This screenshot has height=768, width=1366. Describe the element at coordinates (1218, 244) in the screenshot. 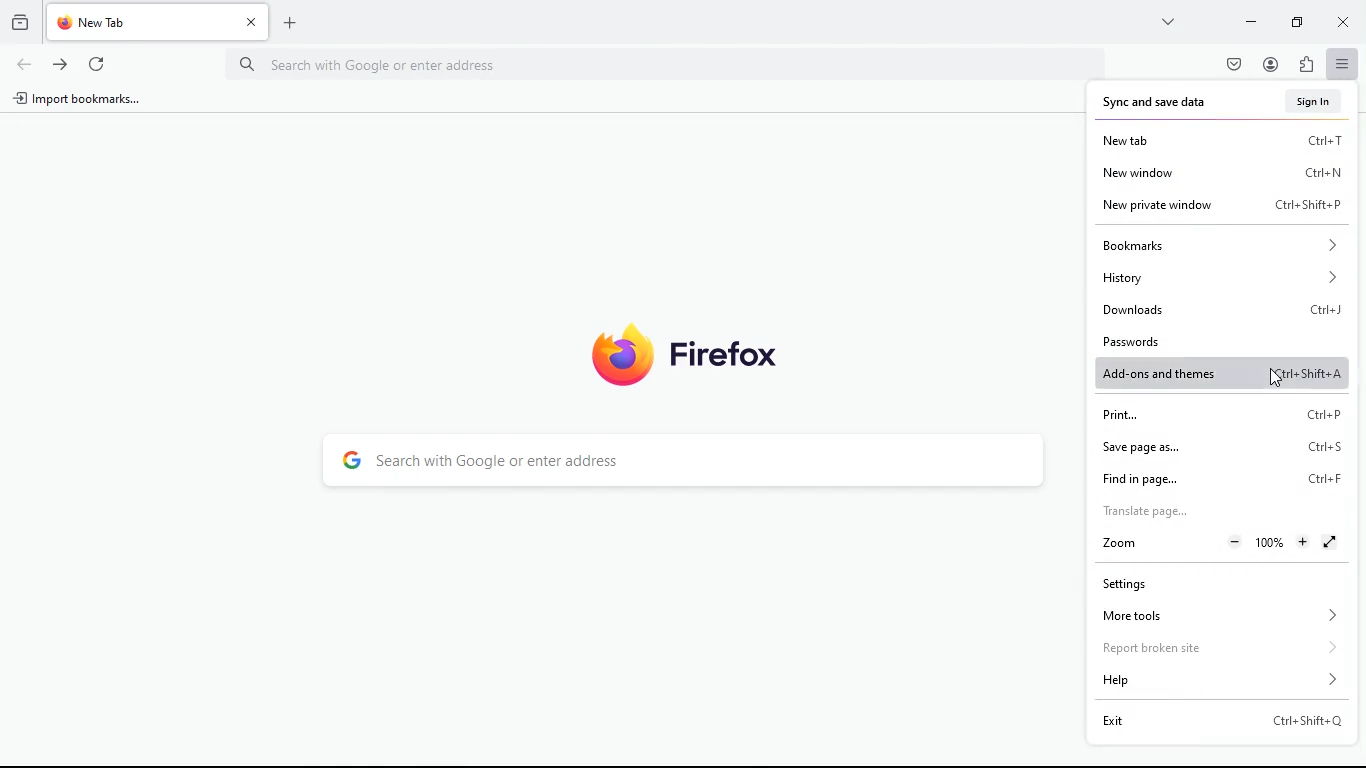

I see `bookmarks` at that location.